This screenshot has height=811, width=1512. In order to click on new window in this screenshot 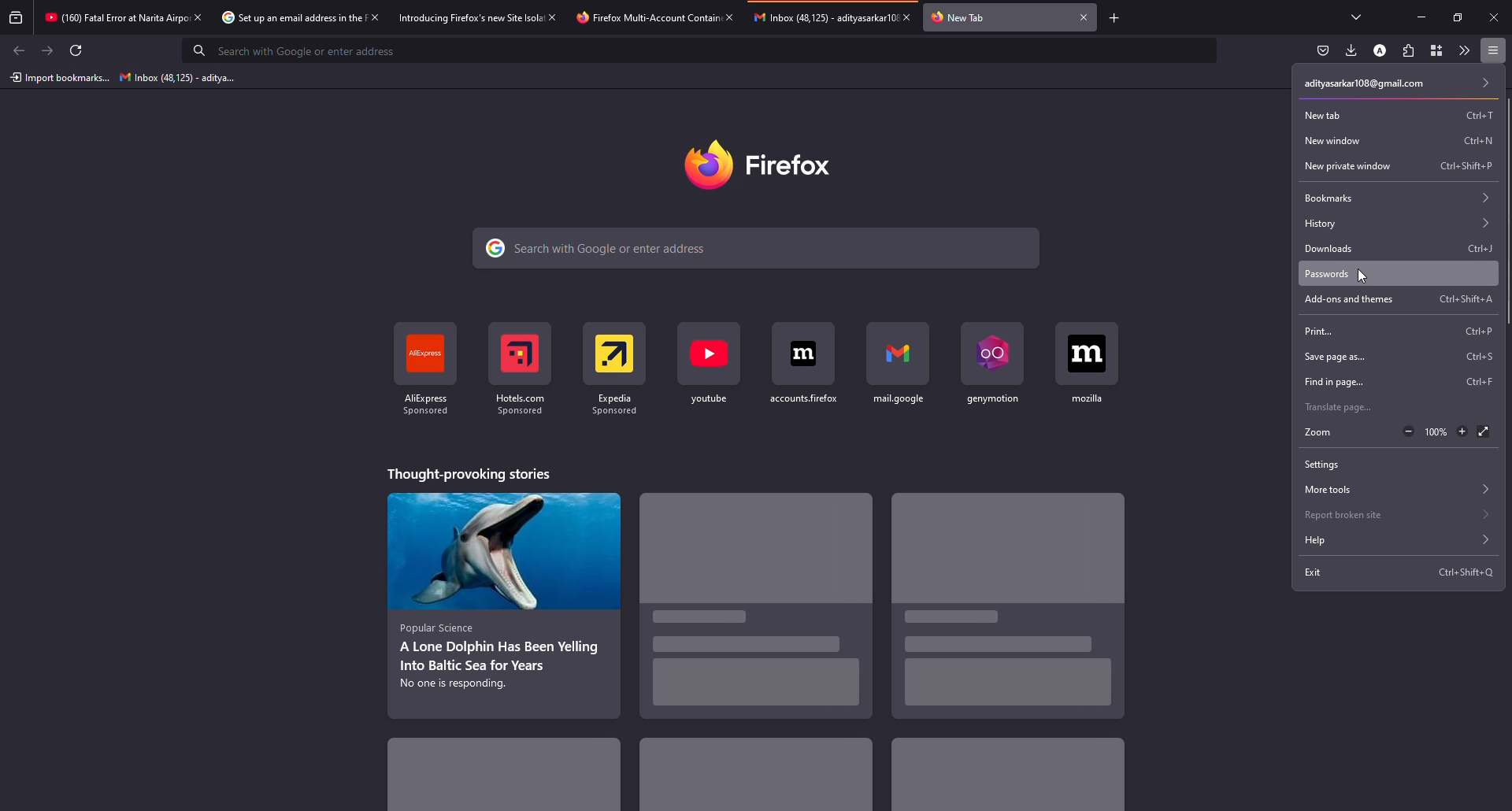, I will do `click(1333, 140)`.